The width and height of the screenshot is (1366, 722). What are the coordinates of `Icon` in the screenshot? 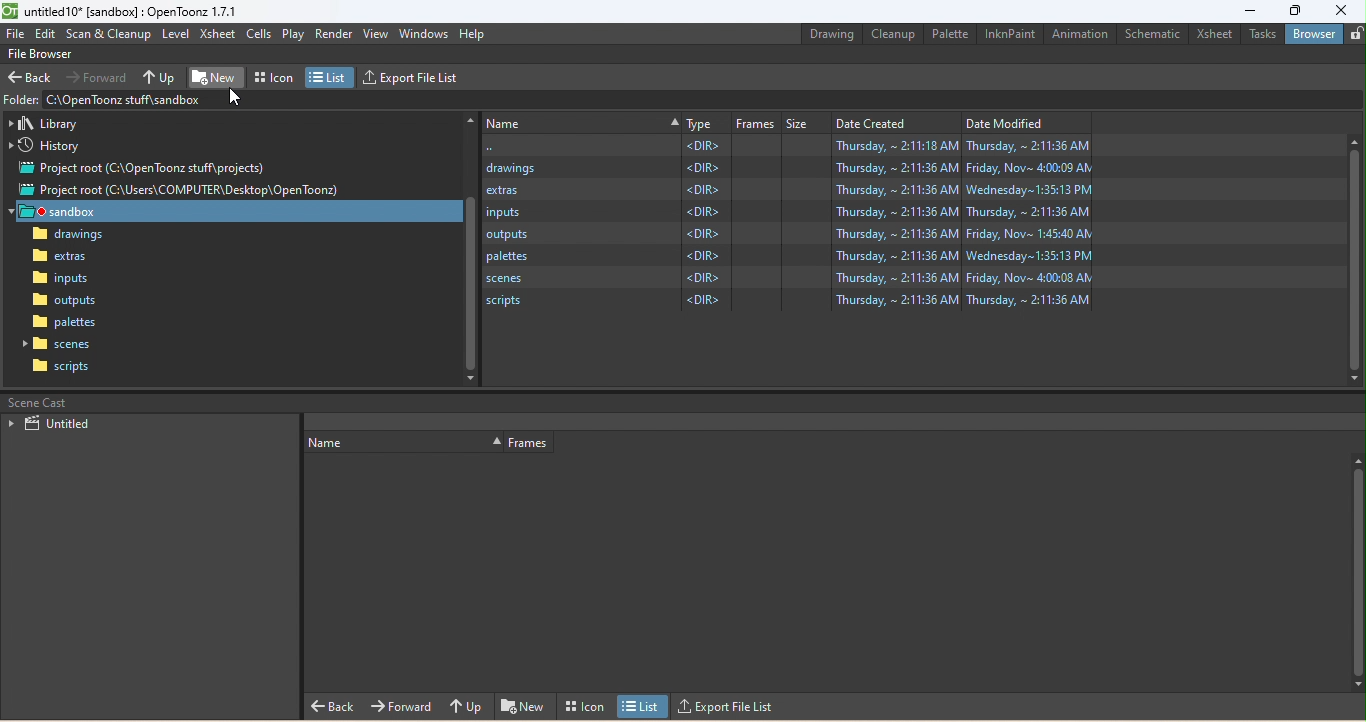 It's located at (274, 77).